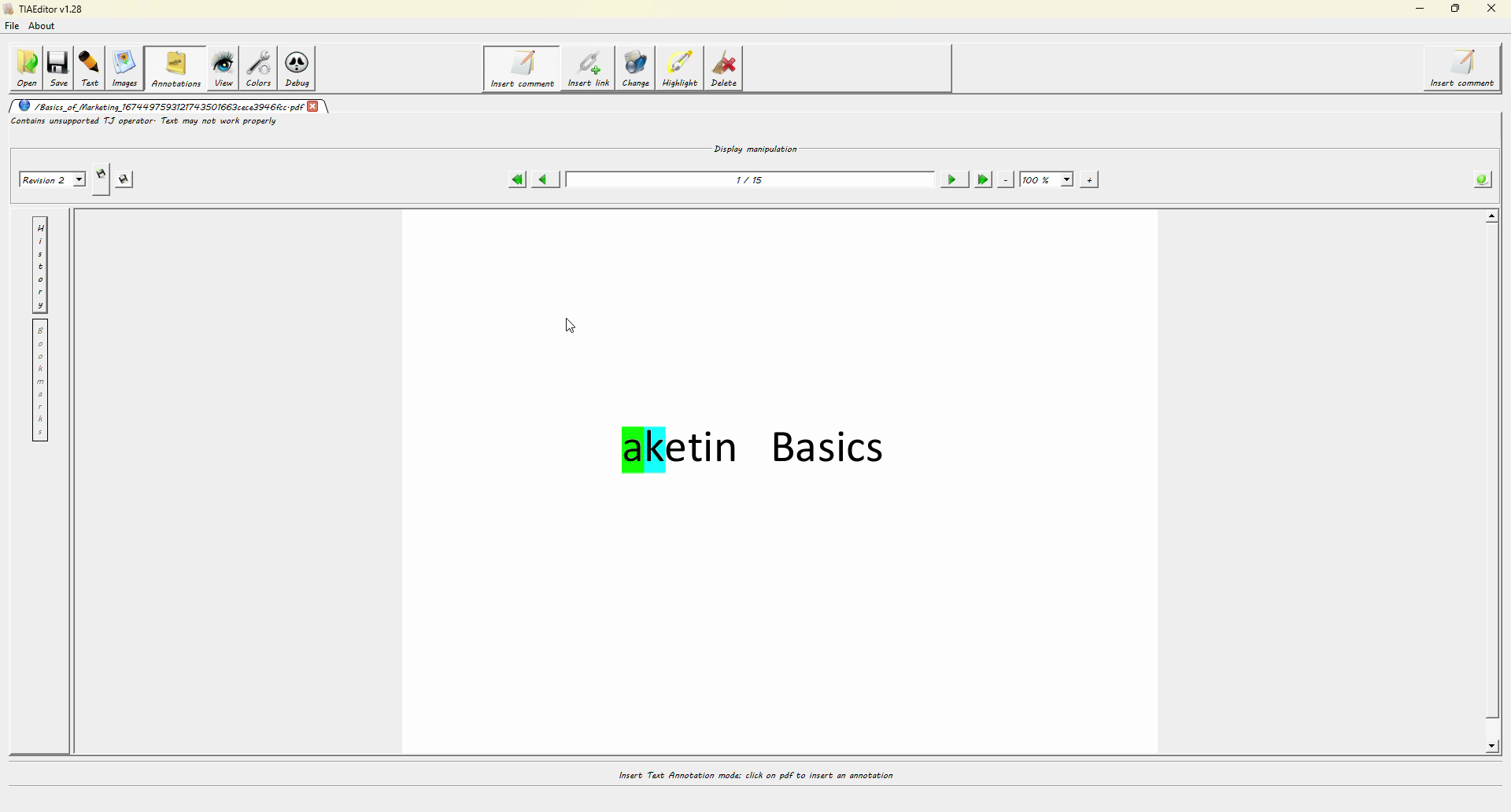 The width and height of the screenshot is (1511, 812). What do you see at coordinates (145, 122) in the screenshot?
I see `Contains unsupported T.J operator: Text may not work properly` at bounding box center [145, 122].